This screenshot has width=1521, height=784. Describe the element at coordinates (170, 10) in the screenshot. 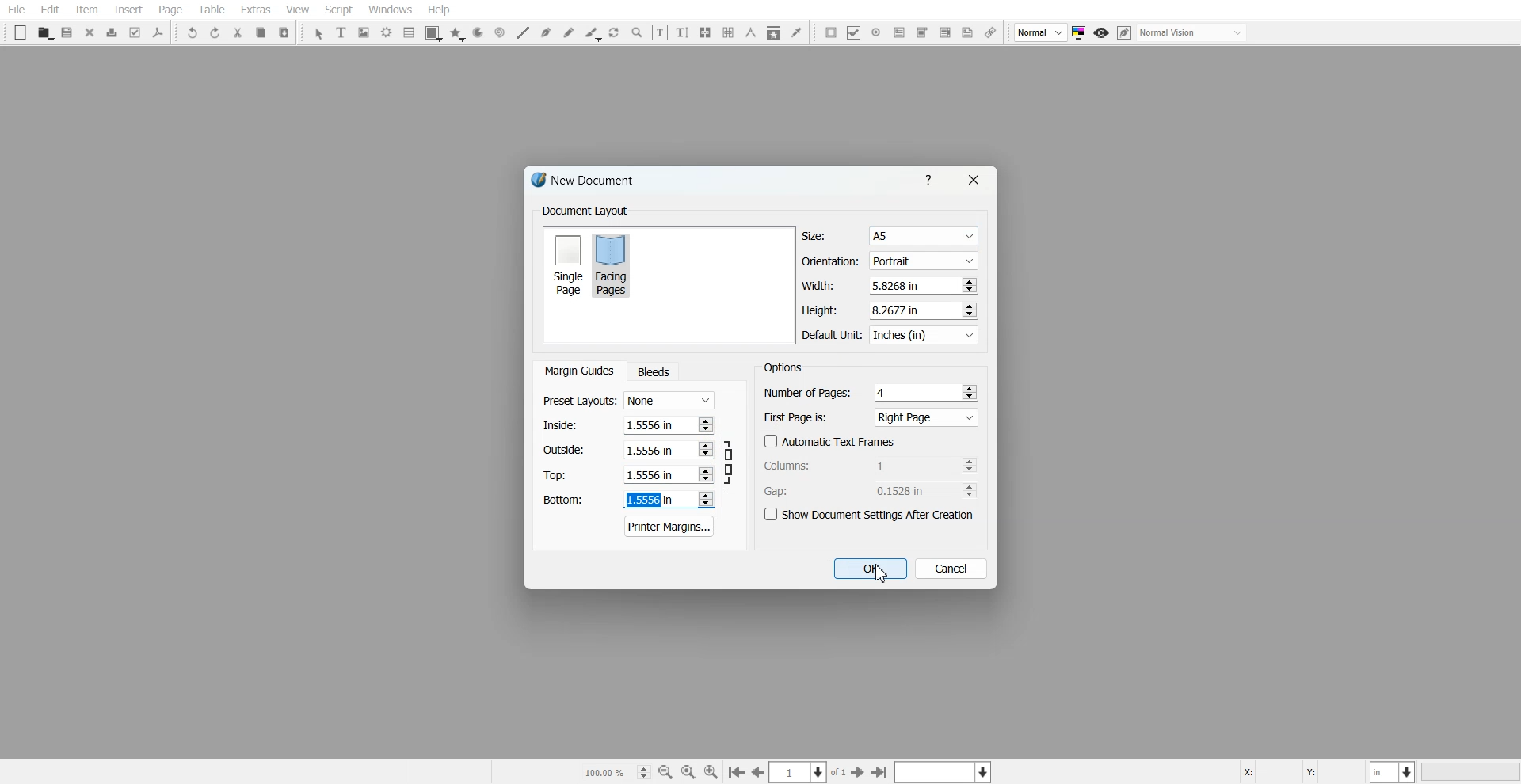

I see `Page` at that location.